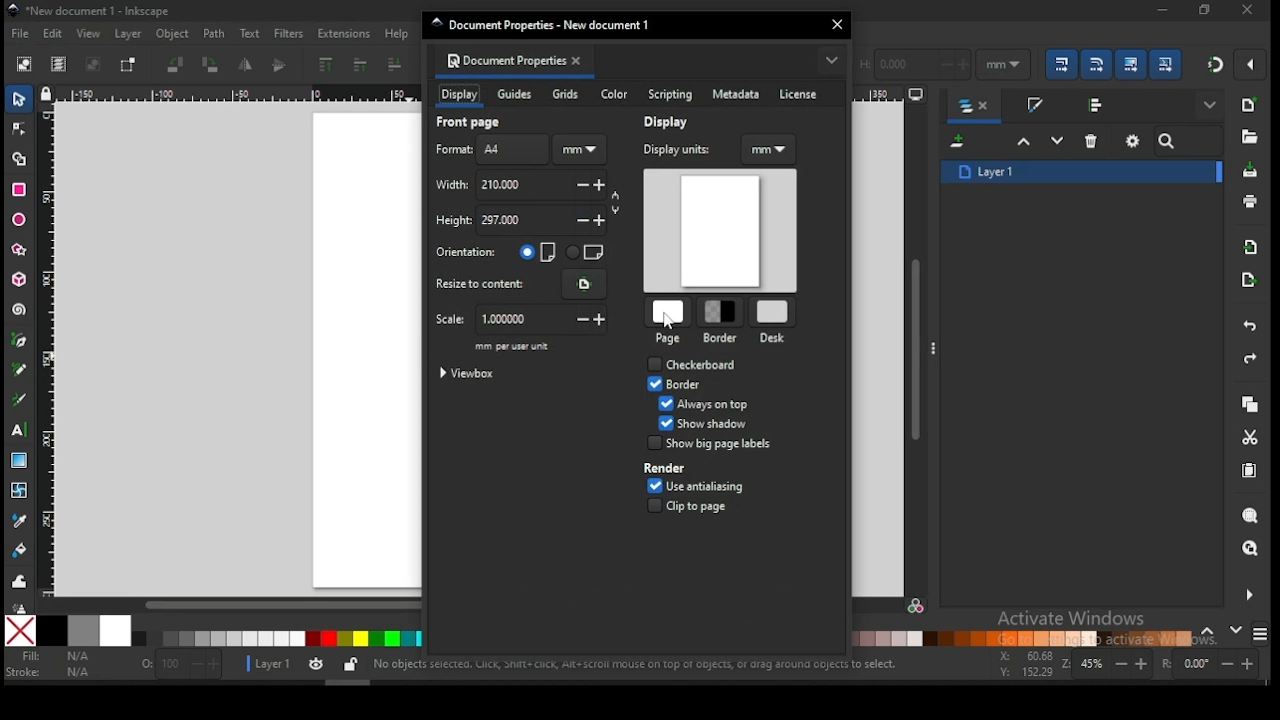 The image size is (1280, 720). I want to click on close, so click(580, 61).